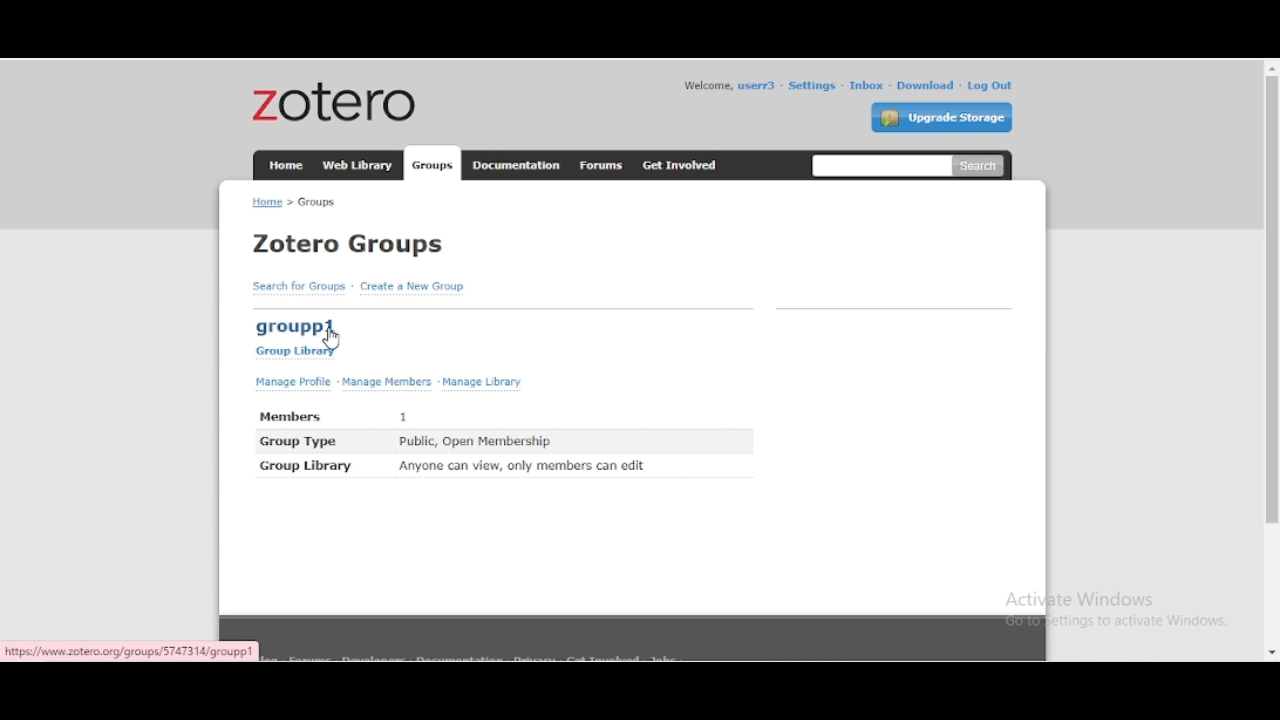 This screenshot has width=1280, height=720. Describe the element at coordinates (514, 164) in the screenshot. I see `documentation` at that location.